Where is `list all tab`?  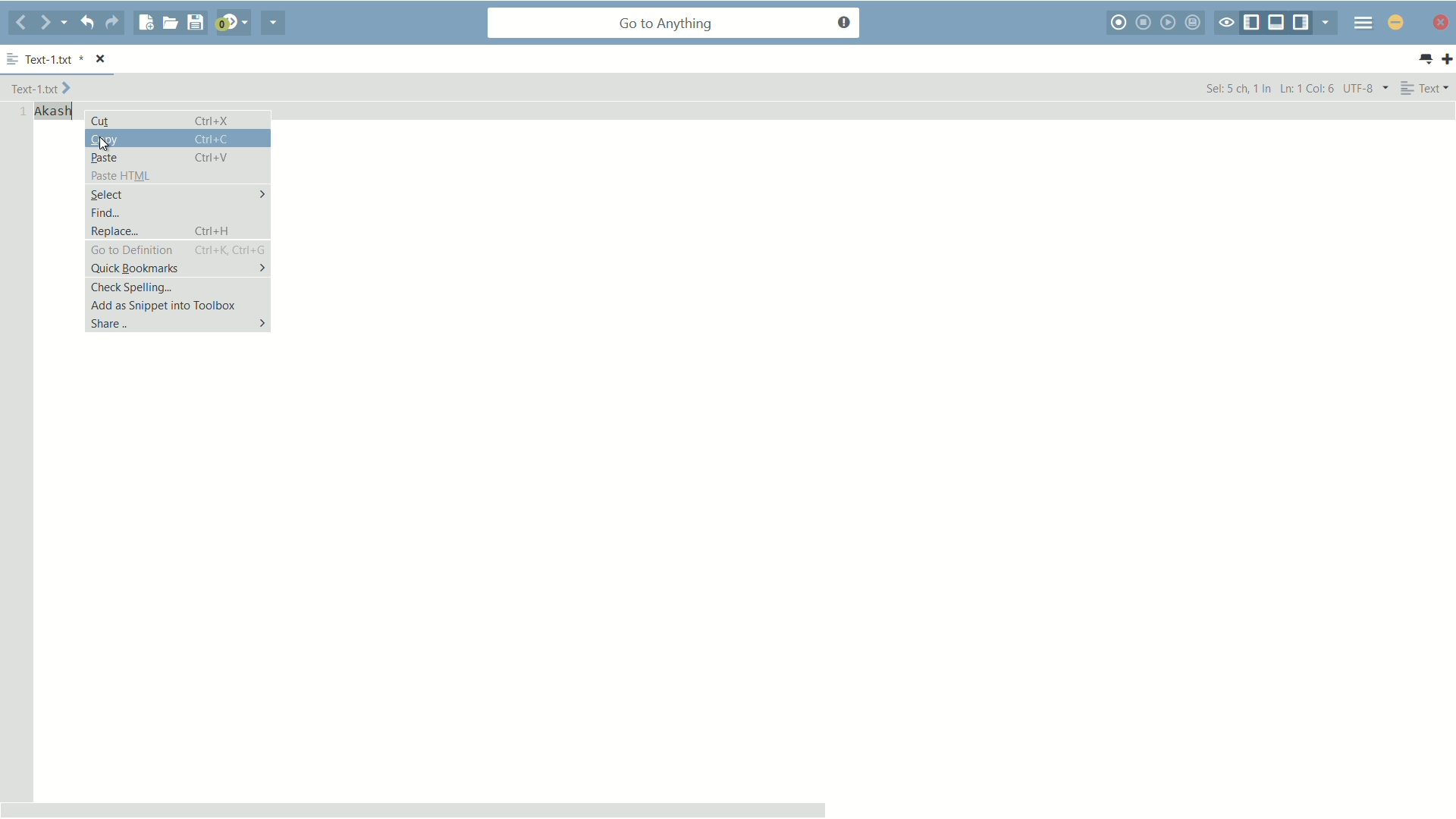
list all tab is located at coordinates (1425, 59).